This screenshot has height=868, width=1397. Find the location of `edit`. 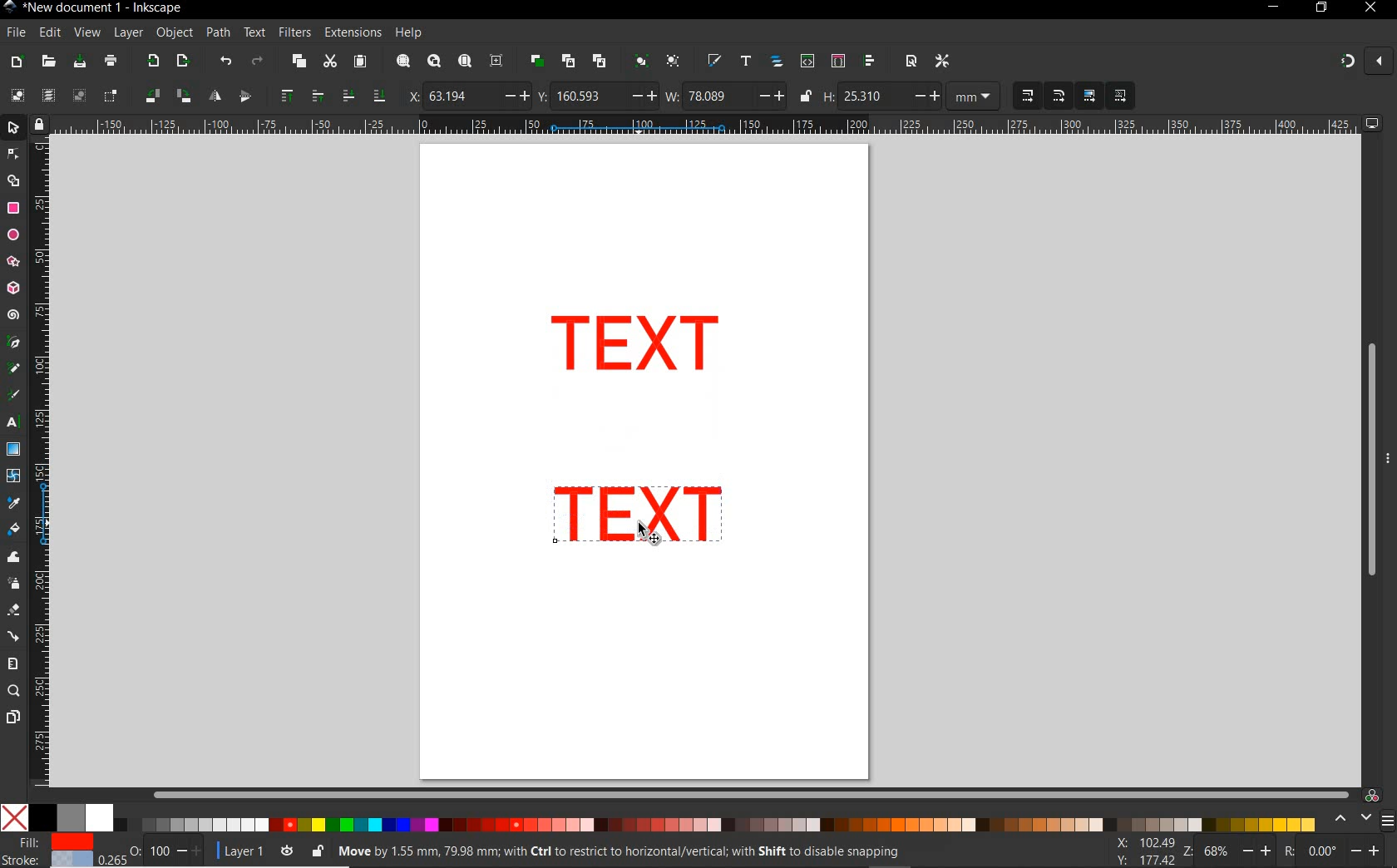

edit is located at coordinates (49, 32).